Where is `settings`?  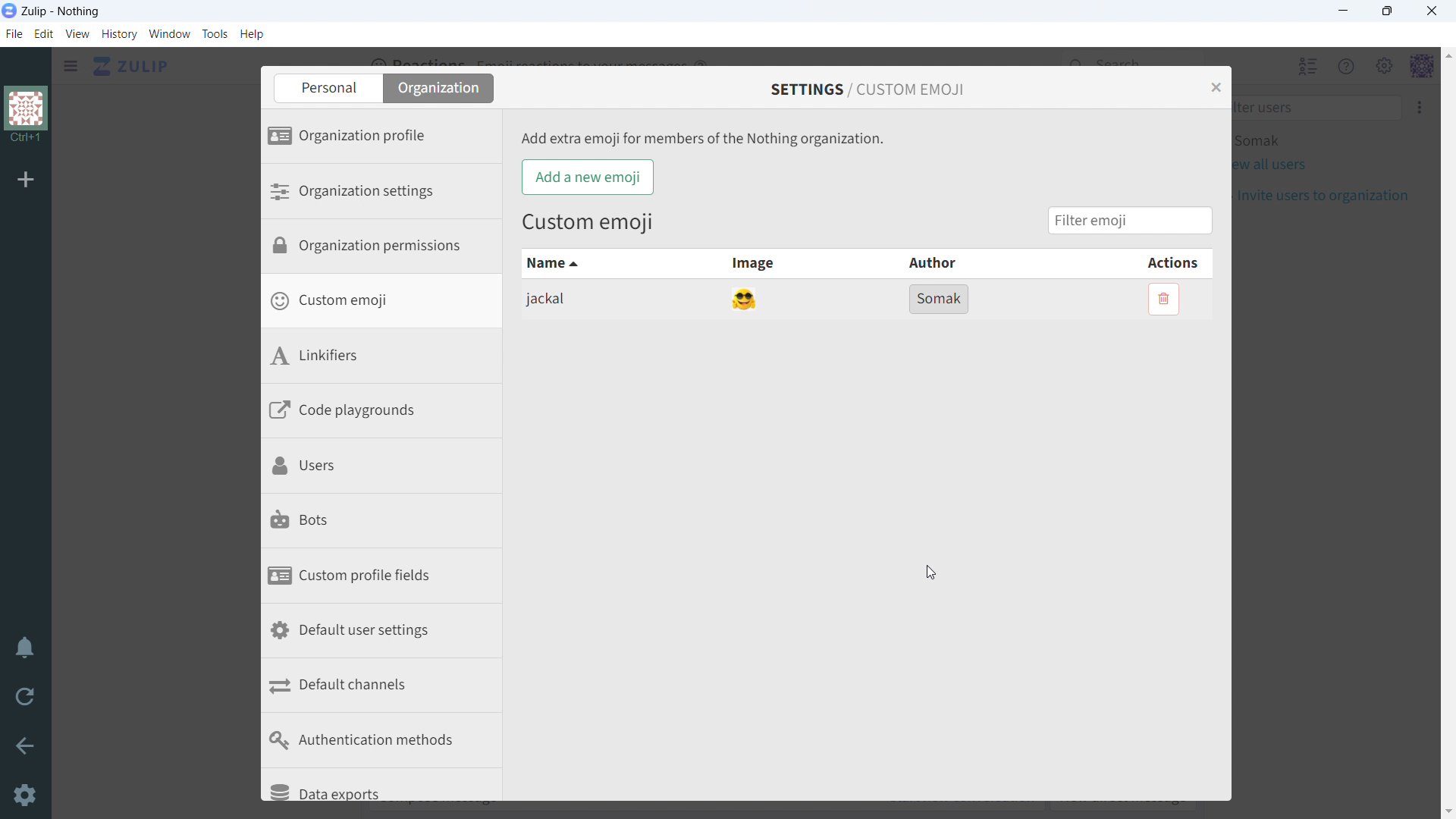 settings is located at coordinates (24, 795).